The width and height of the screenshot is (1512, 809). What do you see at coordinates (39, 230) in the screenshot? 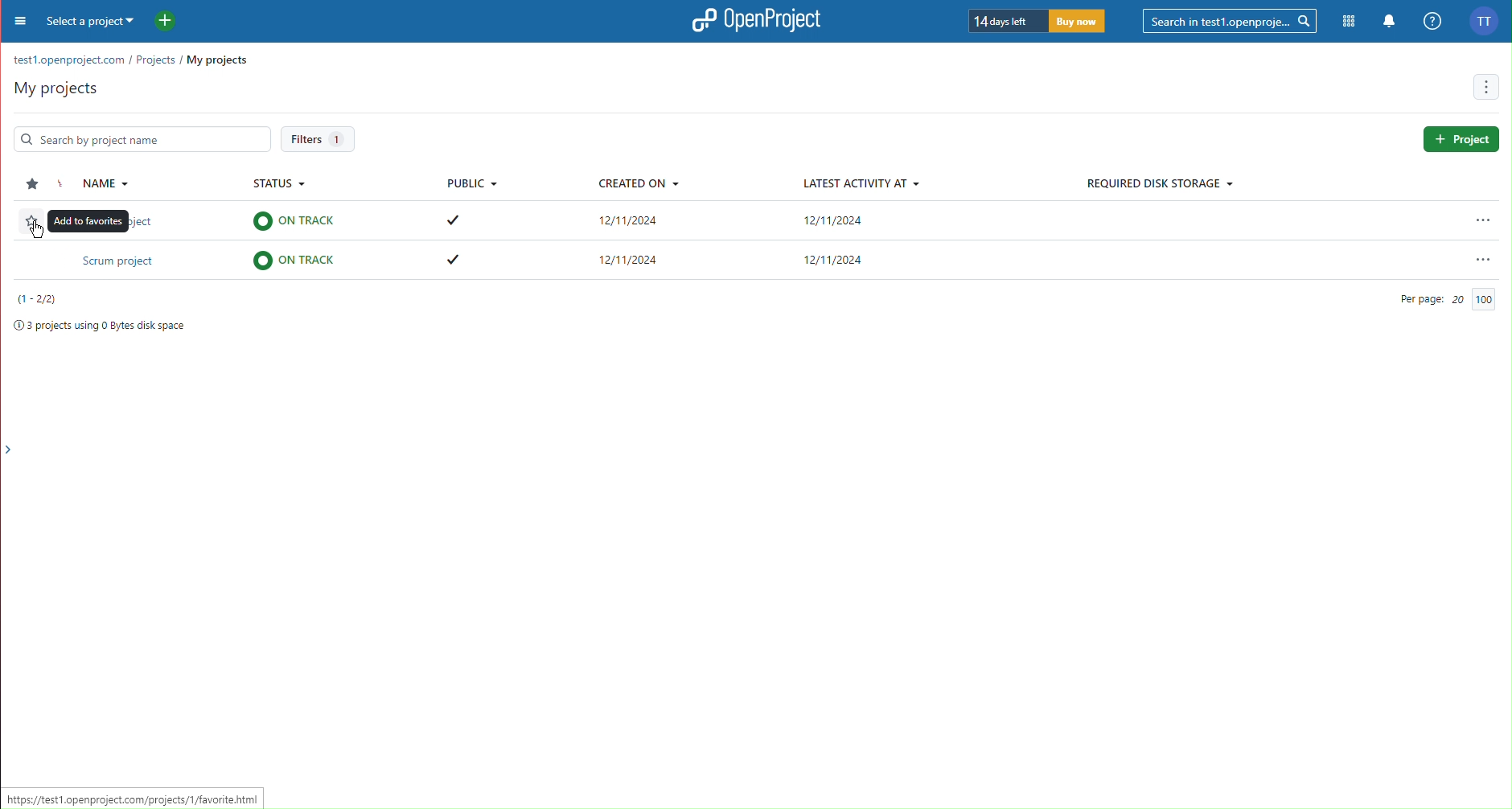
I see `cursor` at bounding box center [39, 230].